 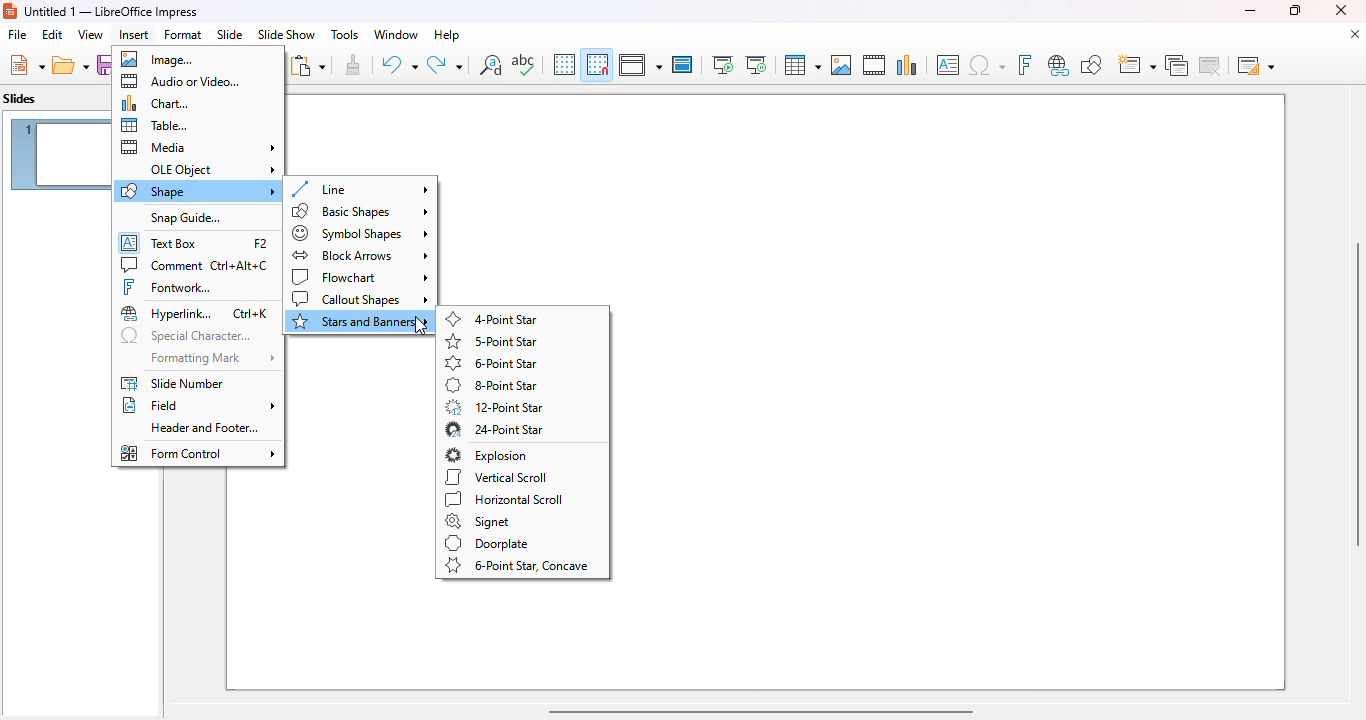 I want to click on snap to grid, so click(x=596, y=64).